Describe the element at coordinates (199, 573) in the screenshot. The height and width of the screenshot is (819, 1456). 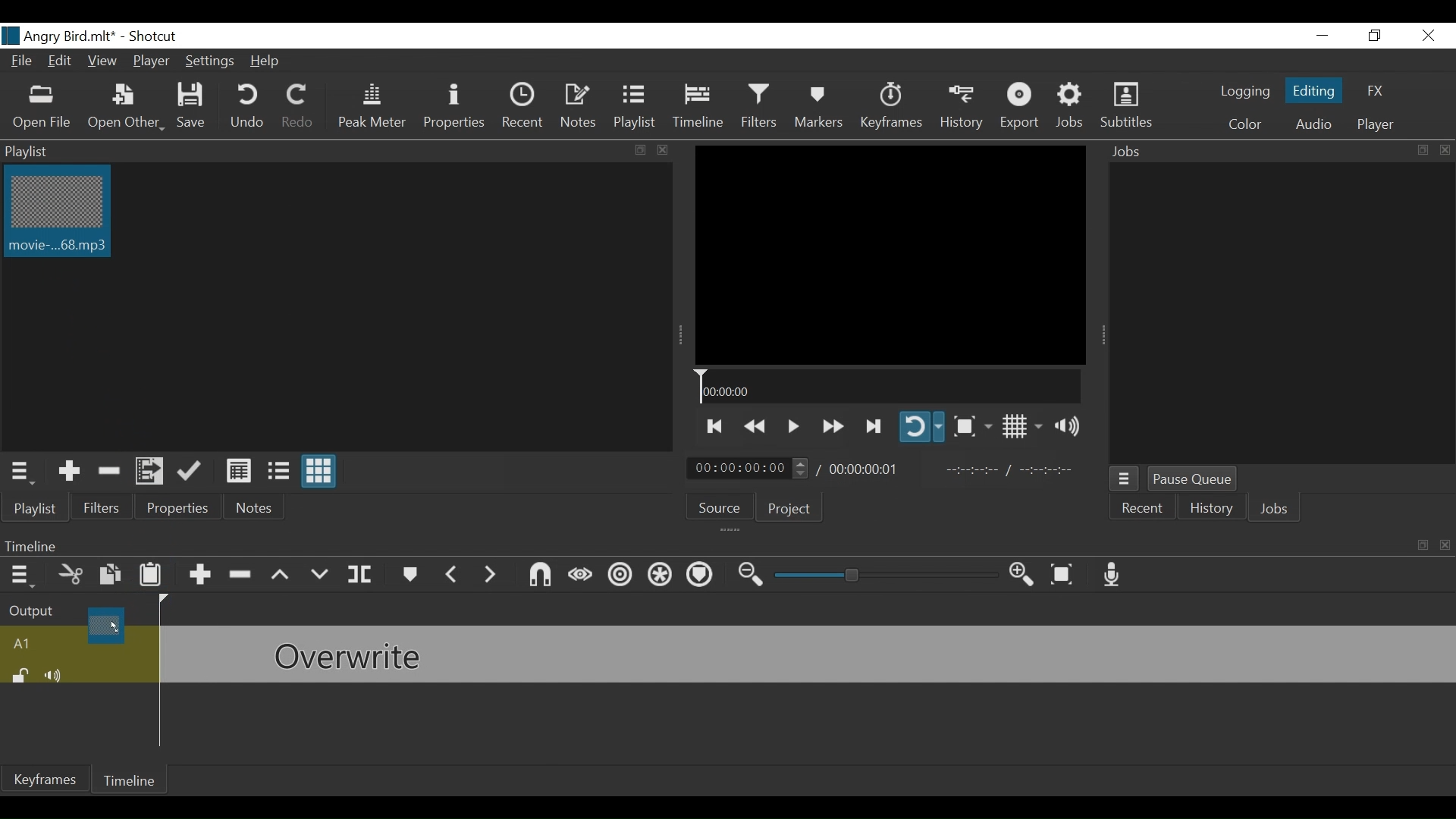
I see `Append` at that location.